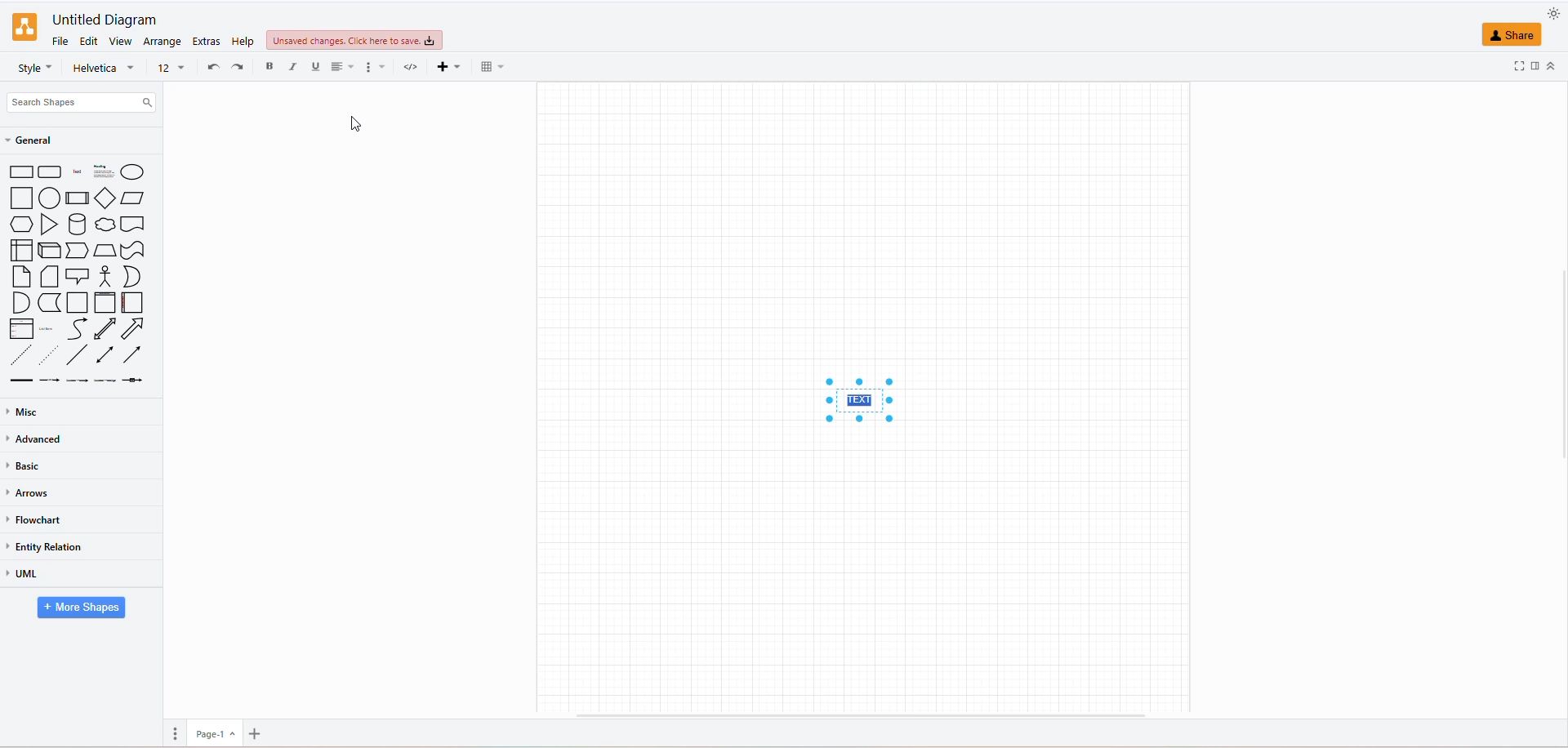  What do you see at coordinates (90, 42) in the screenshot?
I see `edit` at bounding box center [90, 42].